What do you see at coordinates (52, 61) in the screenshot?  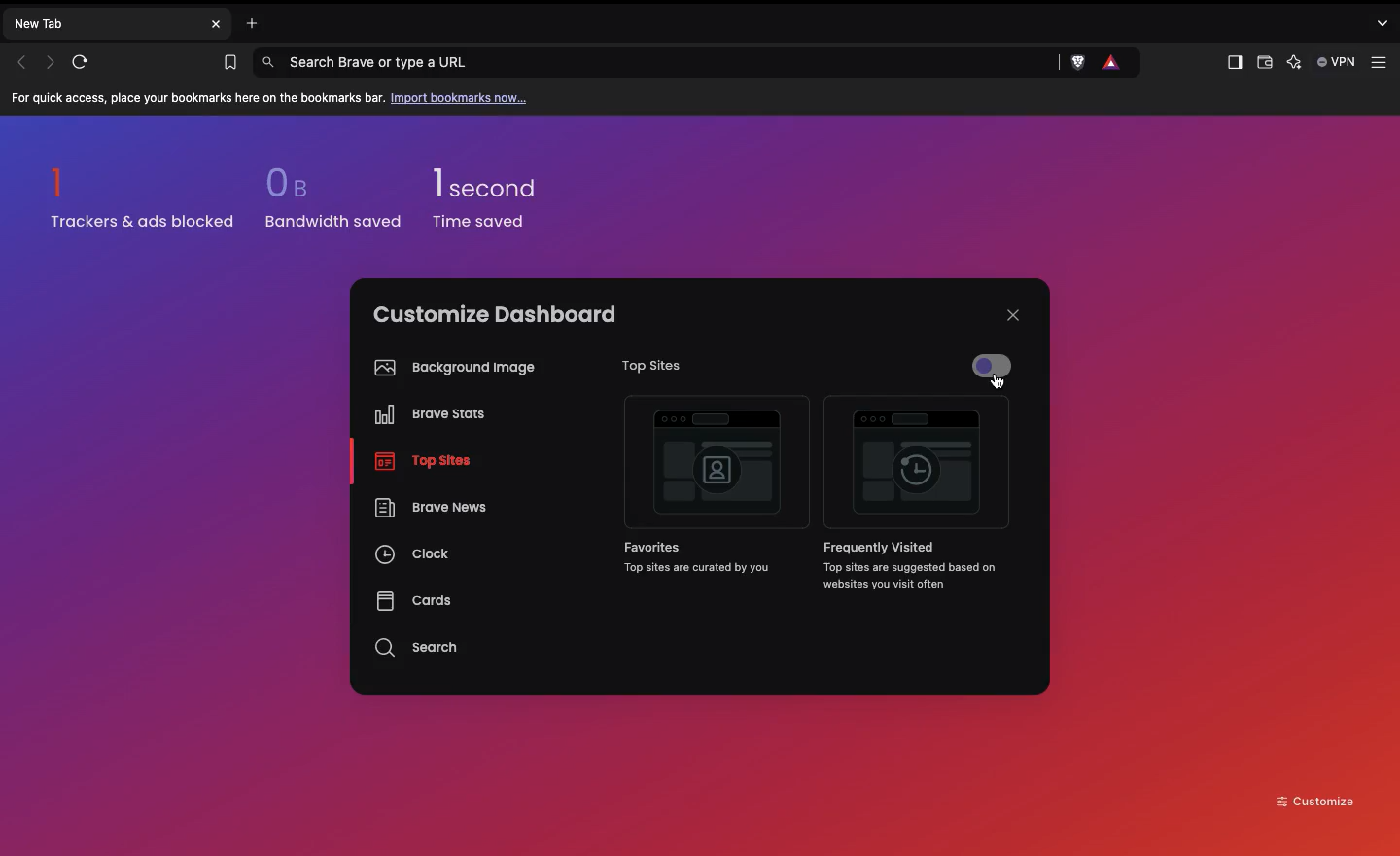 I see `Next page` at bounding box center [52, 61].